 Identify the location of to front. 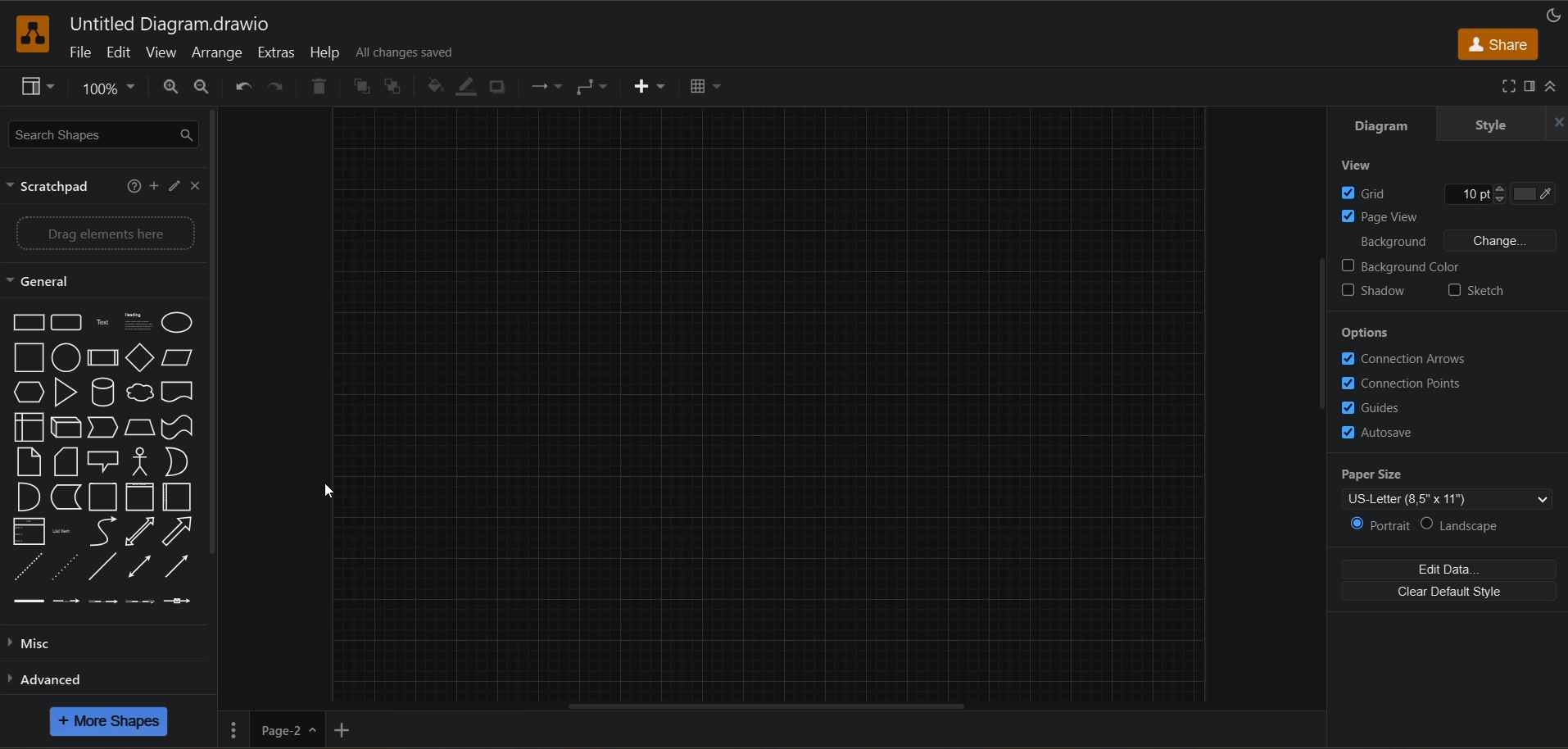
(360, 86).